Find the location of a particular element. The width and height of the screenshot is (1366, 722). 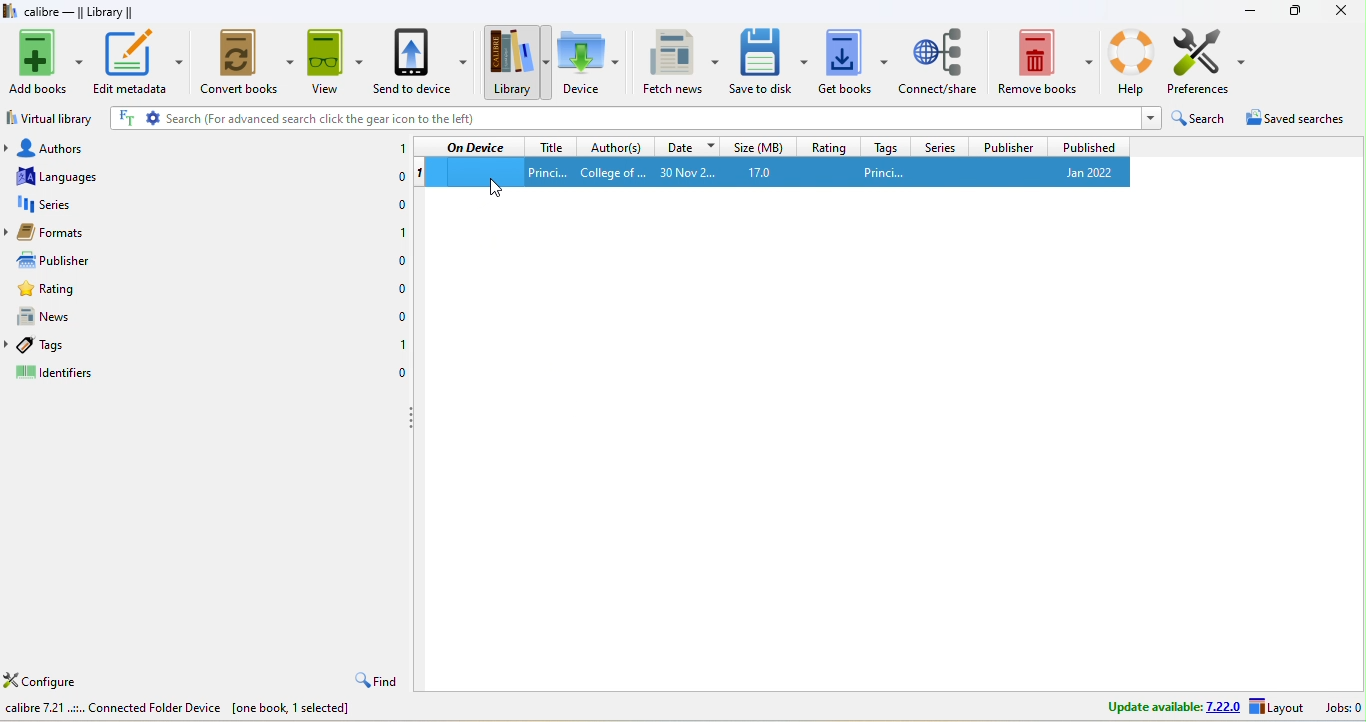

jobs 0 is located at coordinates (1340, 708).